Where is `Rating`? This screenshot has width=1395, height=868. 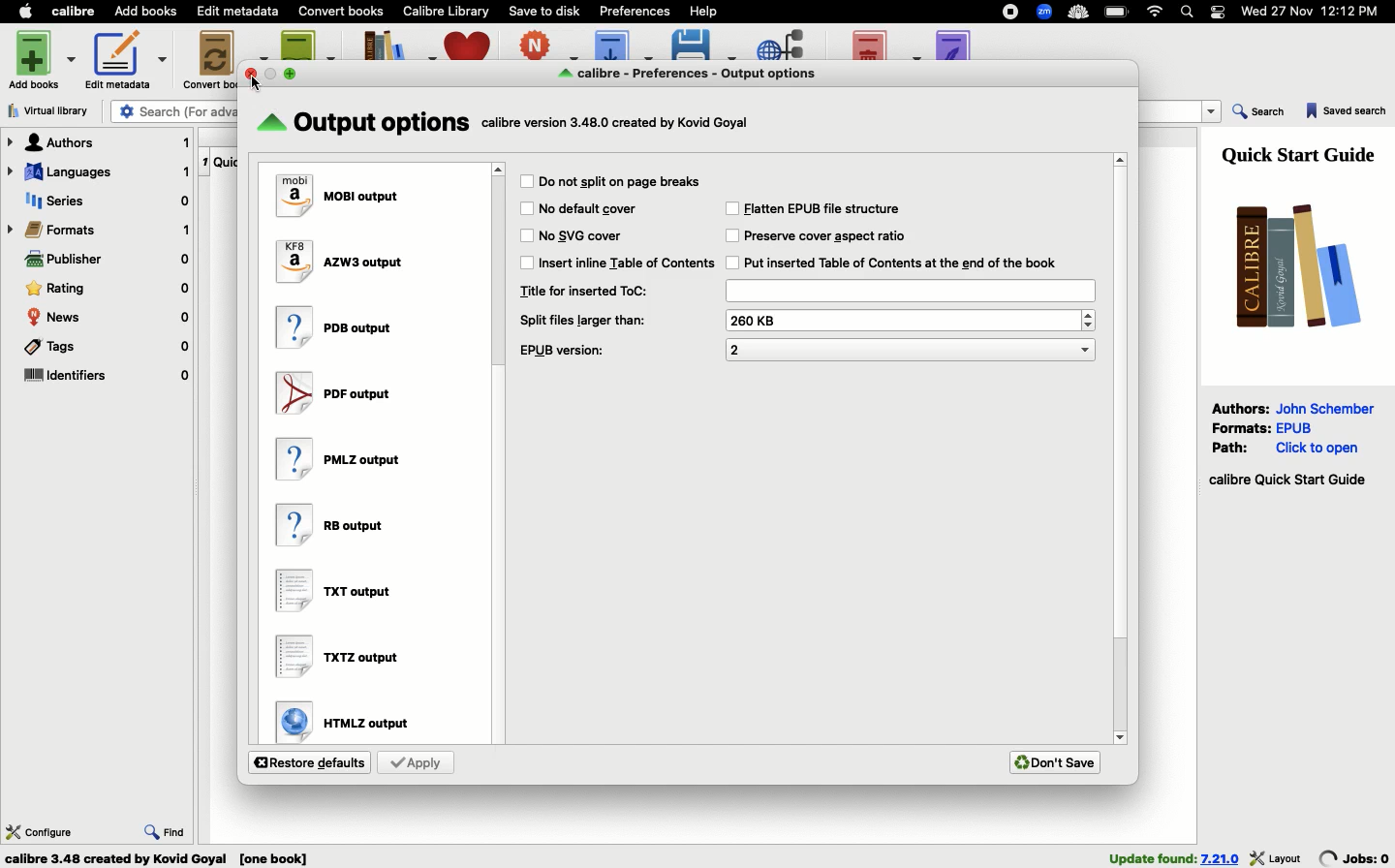
Rating is located at coordinates (108, 289).